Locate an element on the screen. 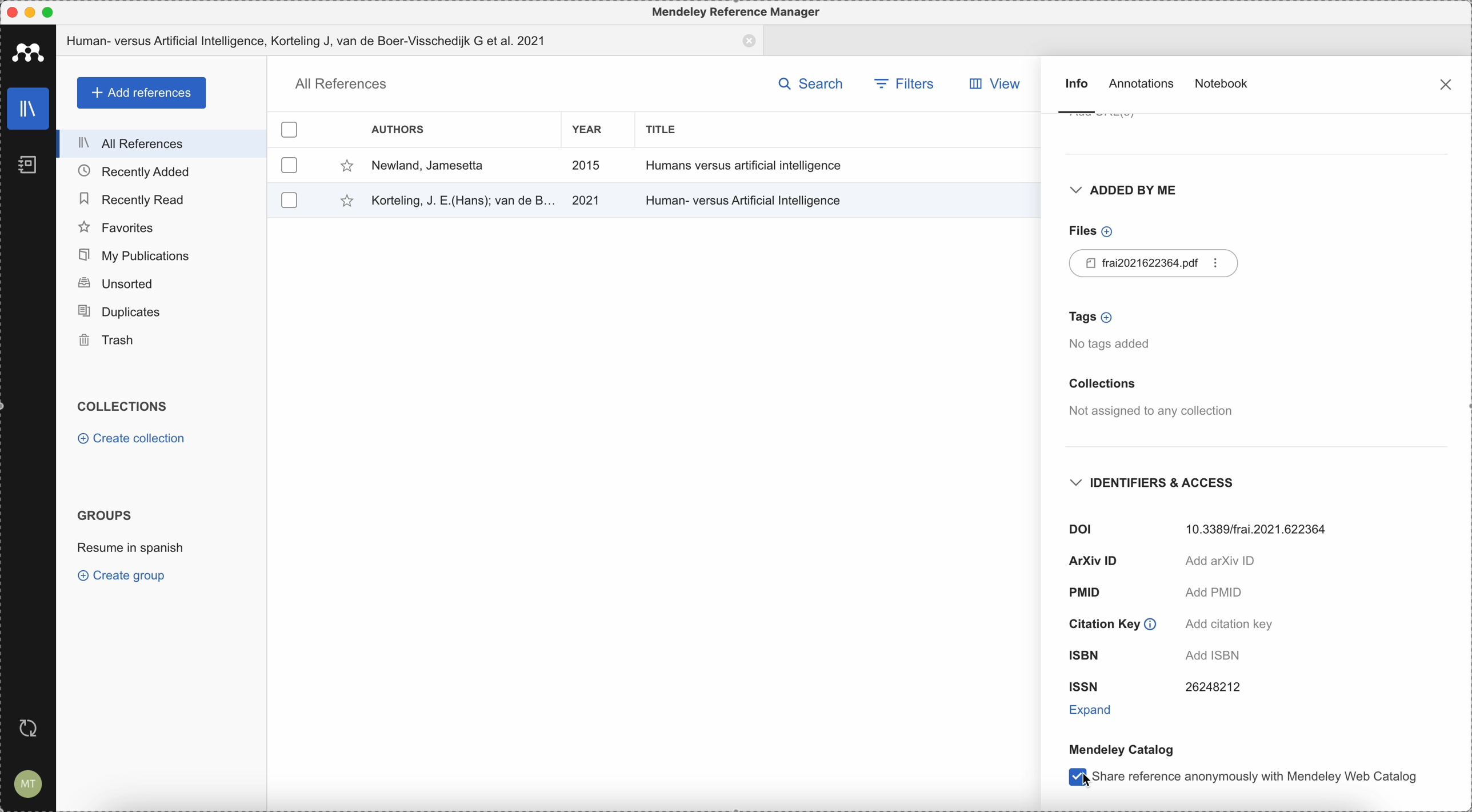 Image resolution: width=1472 pixels, height=812 pixels. Newlad, Jamsetta is located at coordinates (427, 166).